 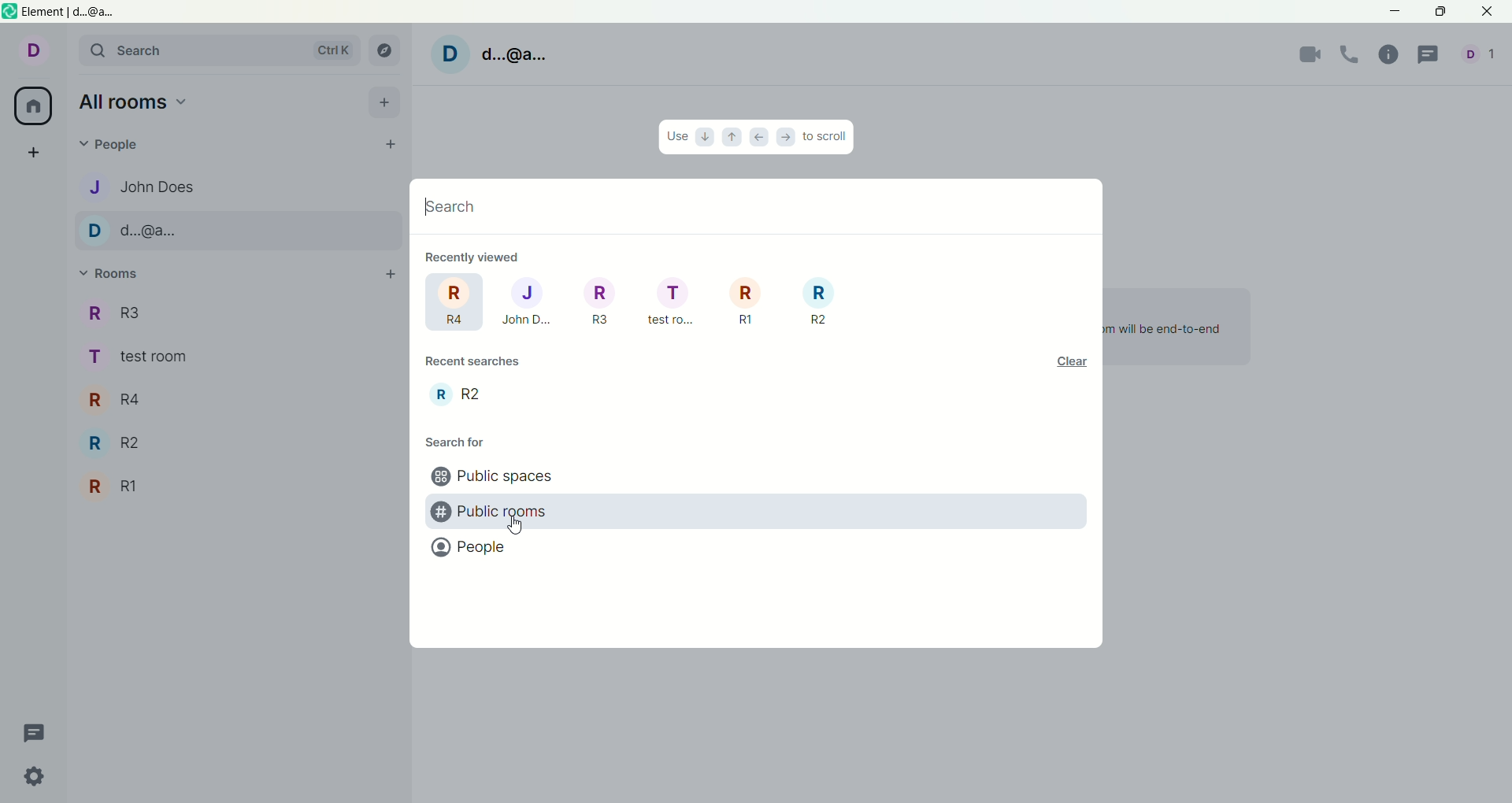 What do you see at coordinates (31, 153) in the screenshot?
I see `create a space` at bounding box center [31, 153].